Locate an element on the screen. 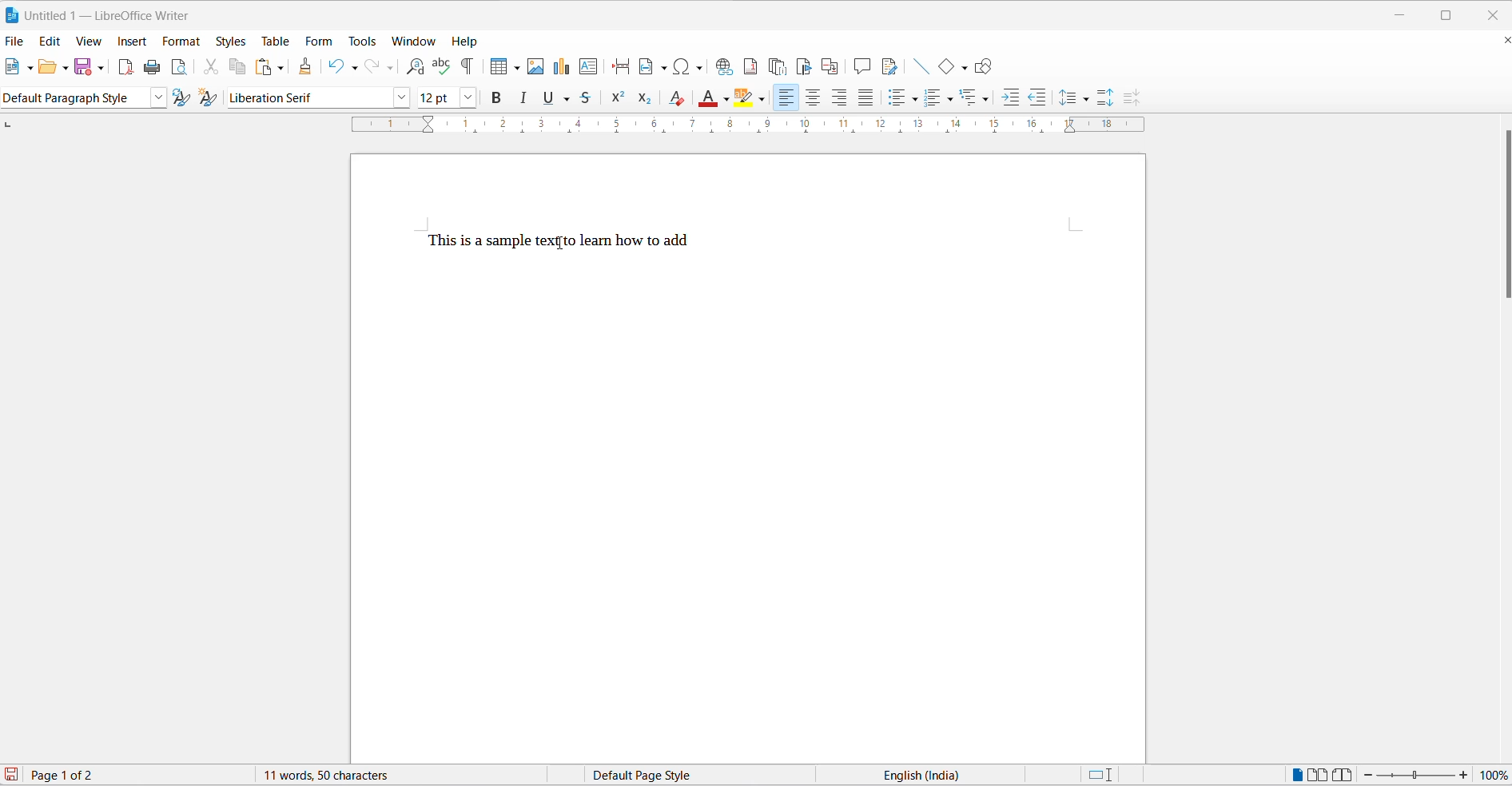 This screenshot has height=786, width=1512. paste options is located at coordinates (281, 68).